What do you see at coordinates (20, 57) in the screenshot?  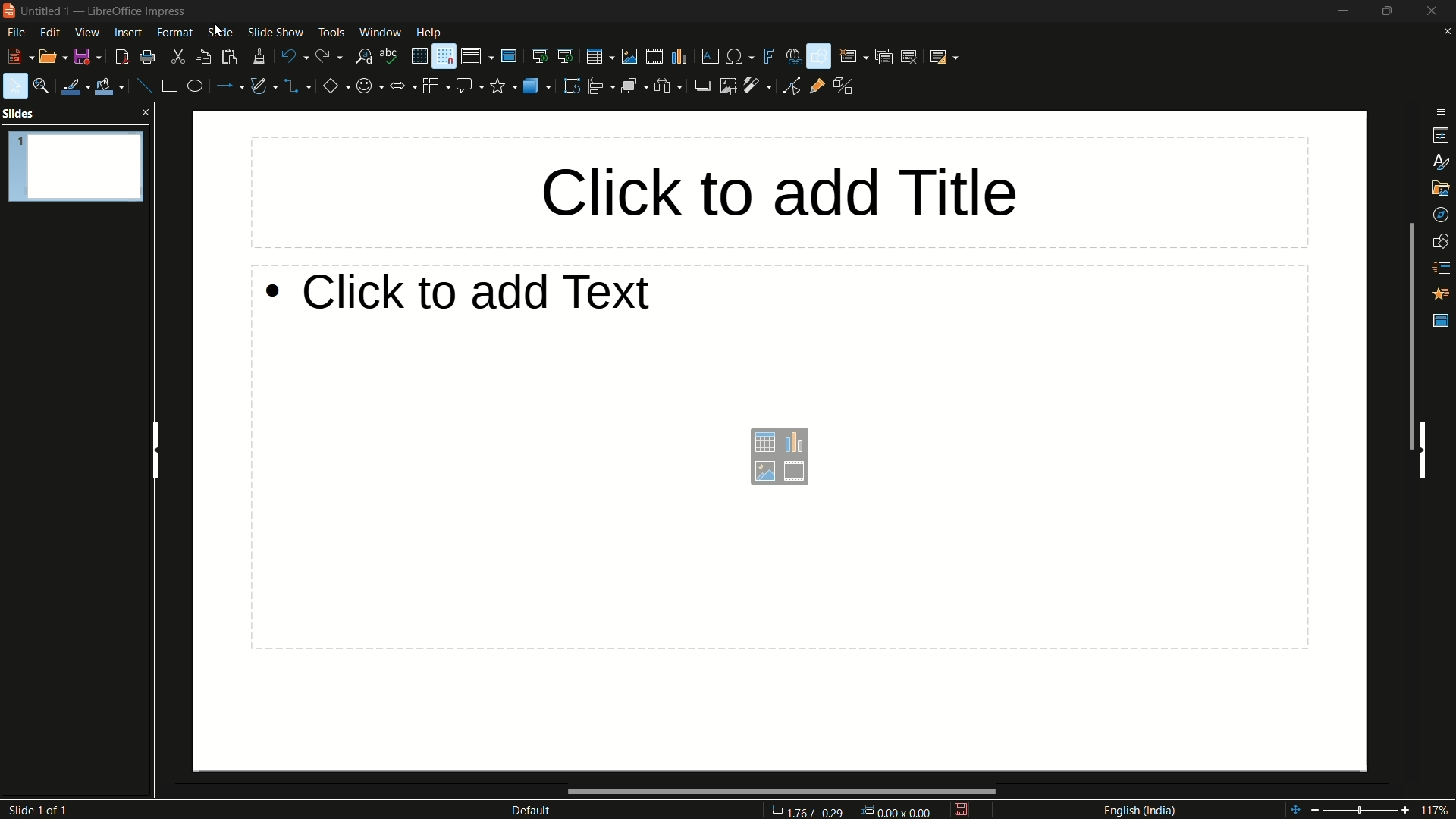 I see `new file` at bounding box center [20, 57].